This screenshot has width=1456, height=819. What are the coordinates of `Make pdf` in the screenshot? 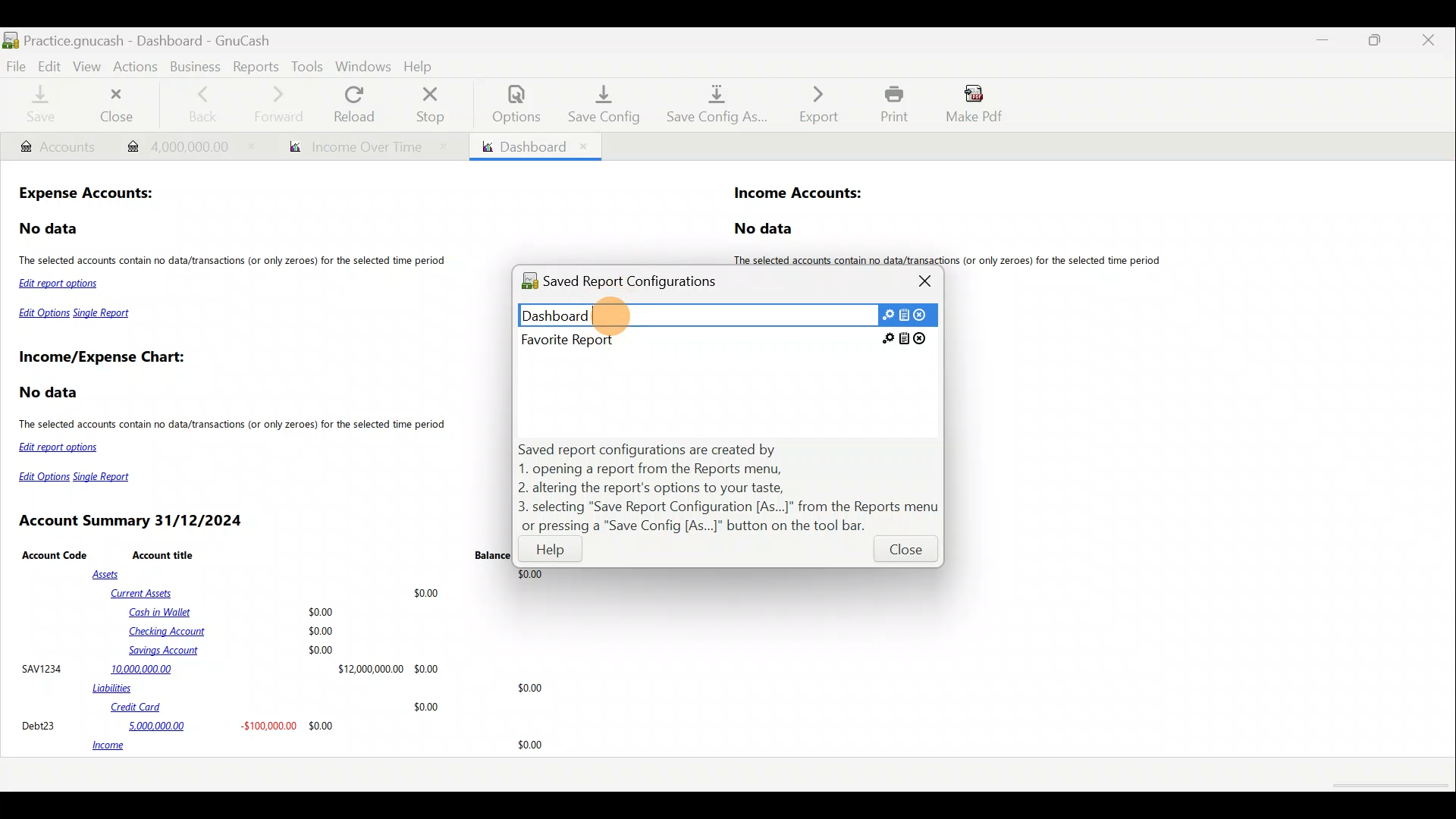 It's located at (979, 106).